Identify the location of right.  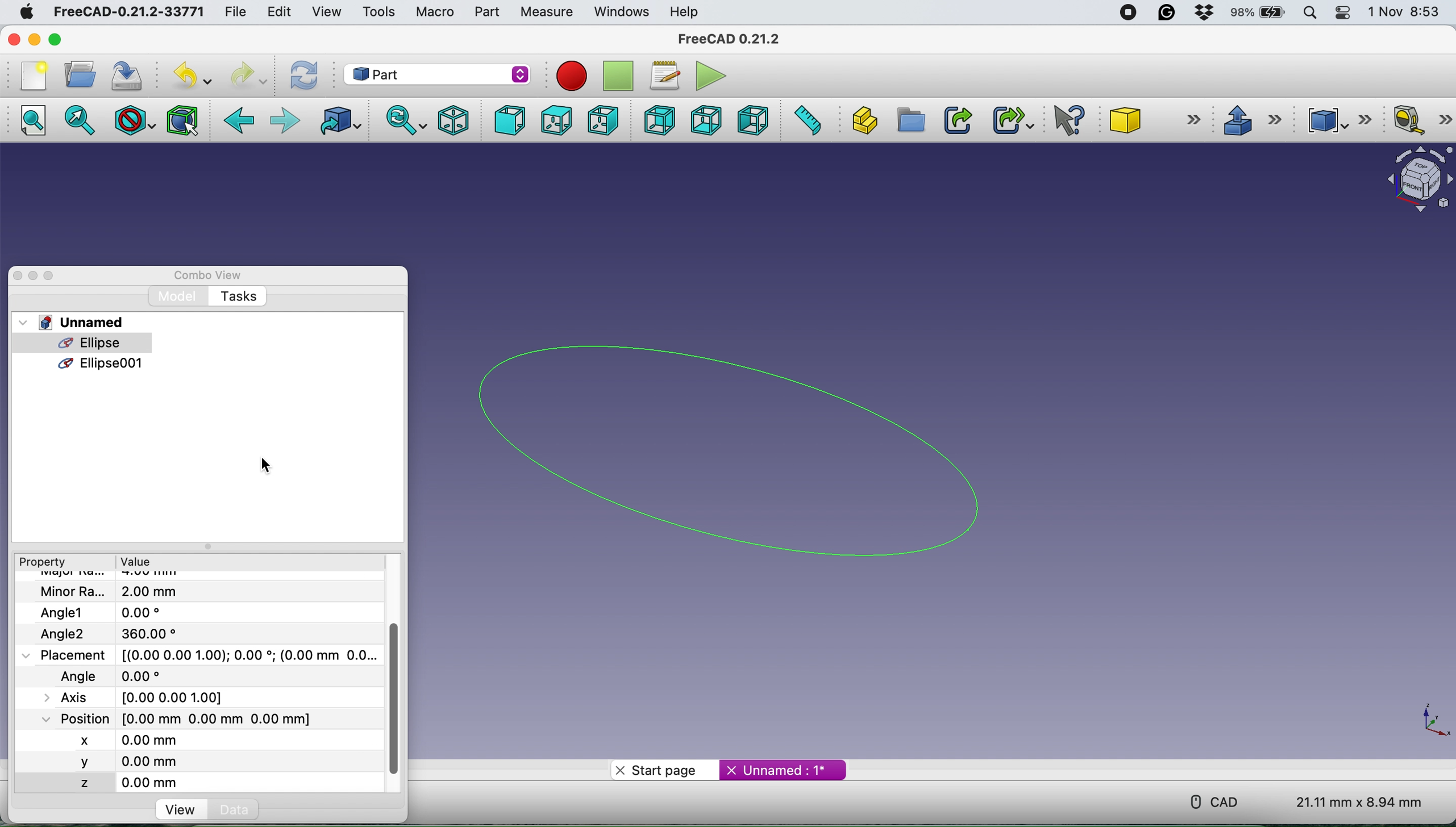
(605, 120).